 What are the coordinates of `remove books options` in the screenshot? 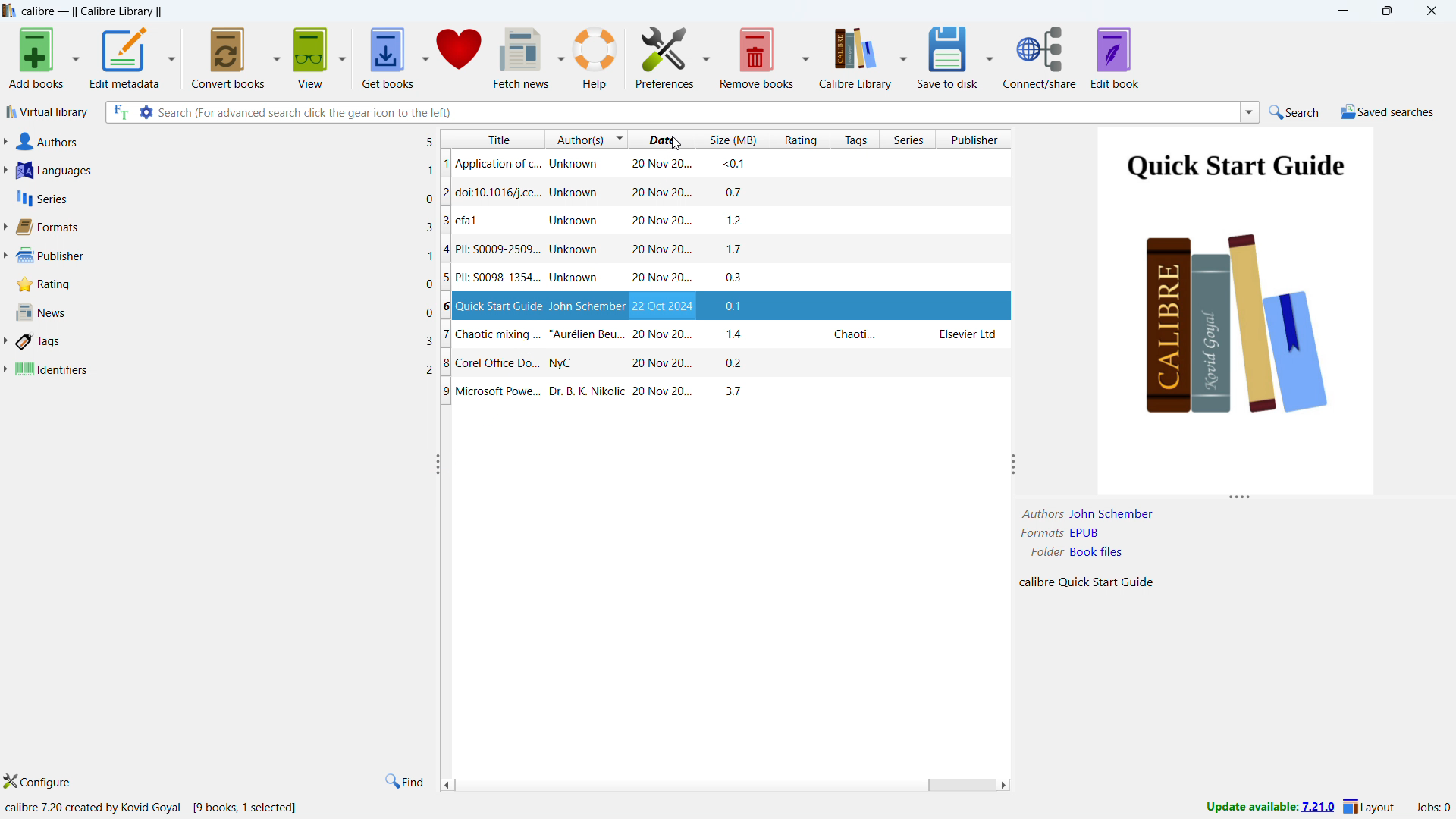 It's located at (805, 55).